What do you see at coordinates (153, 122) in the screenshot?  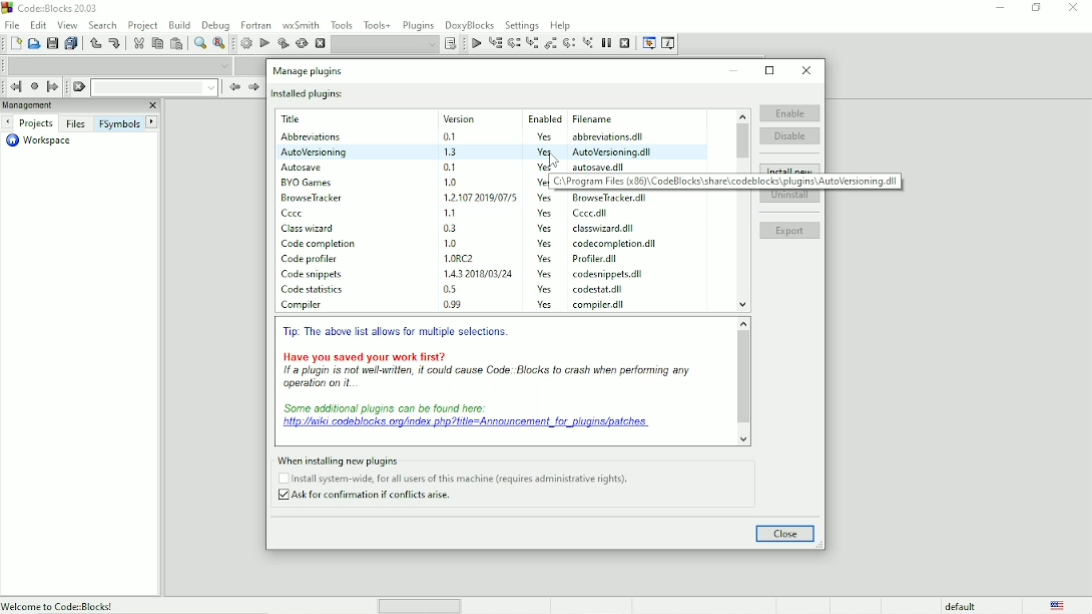 I see `Next` at bounding box center [153, 122].